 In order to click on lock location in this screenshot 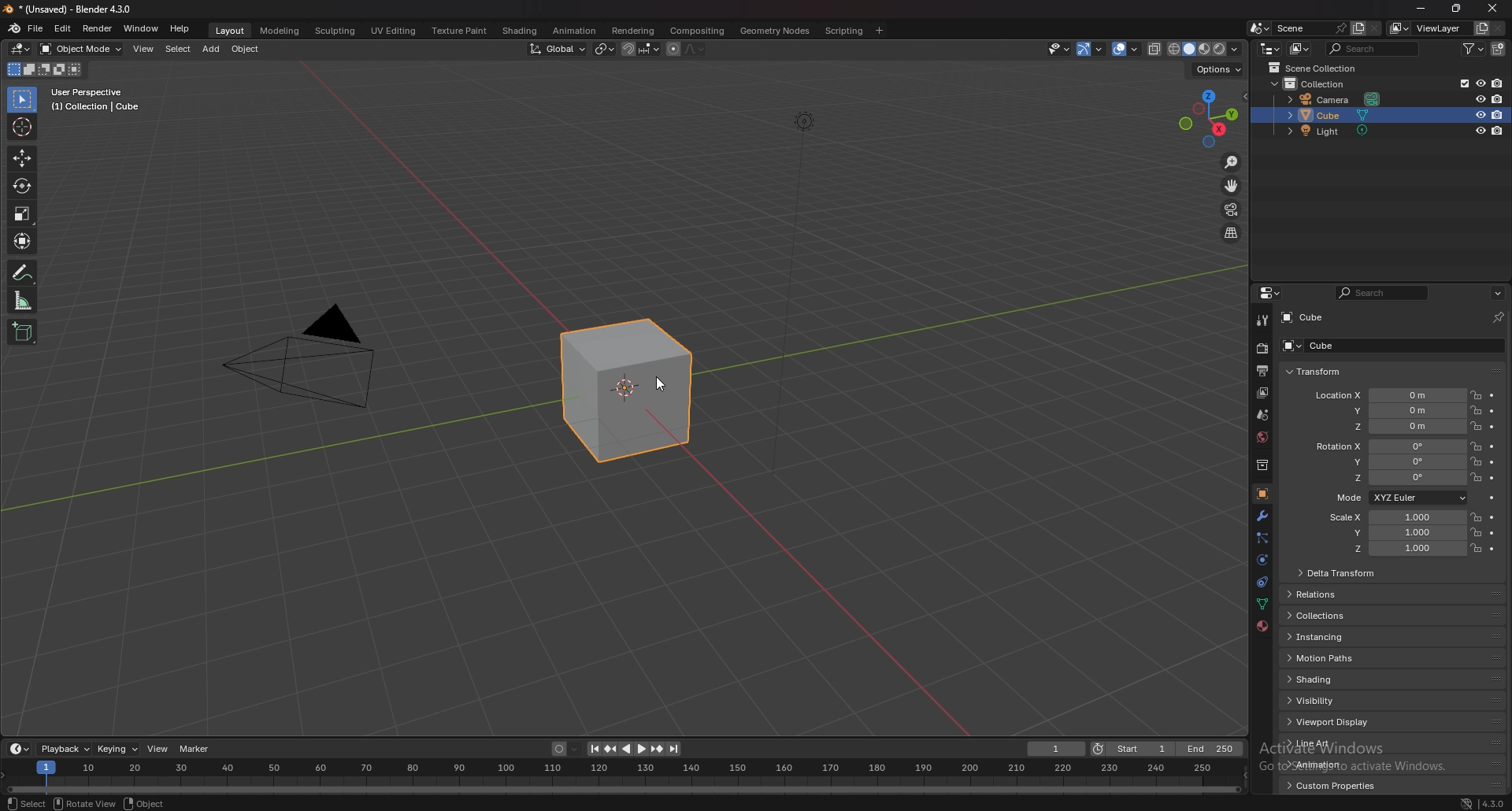, I will do `click(1476, 461)`.